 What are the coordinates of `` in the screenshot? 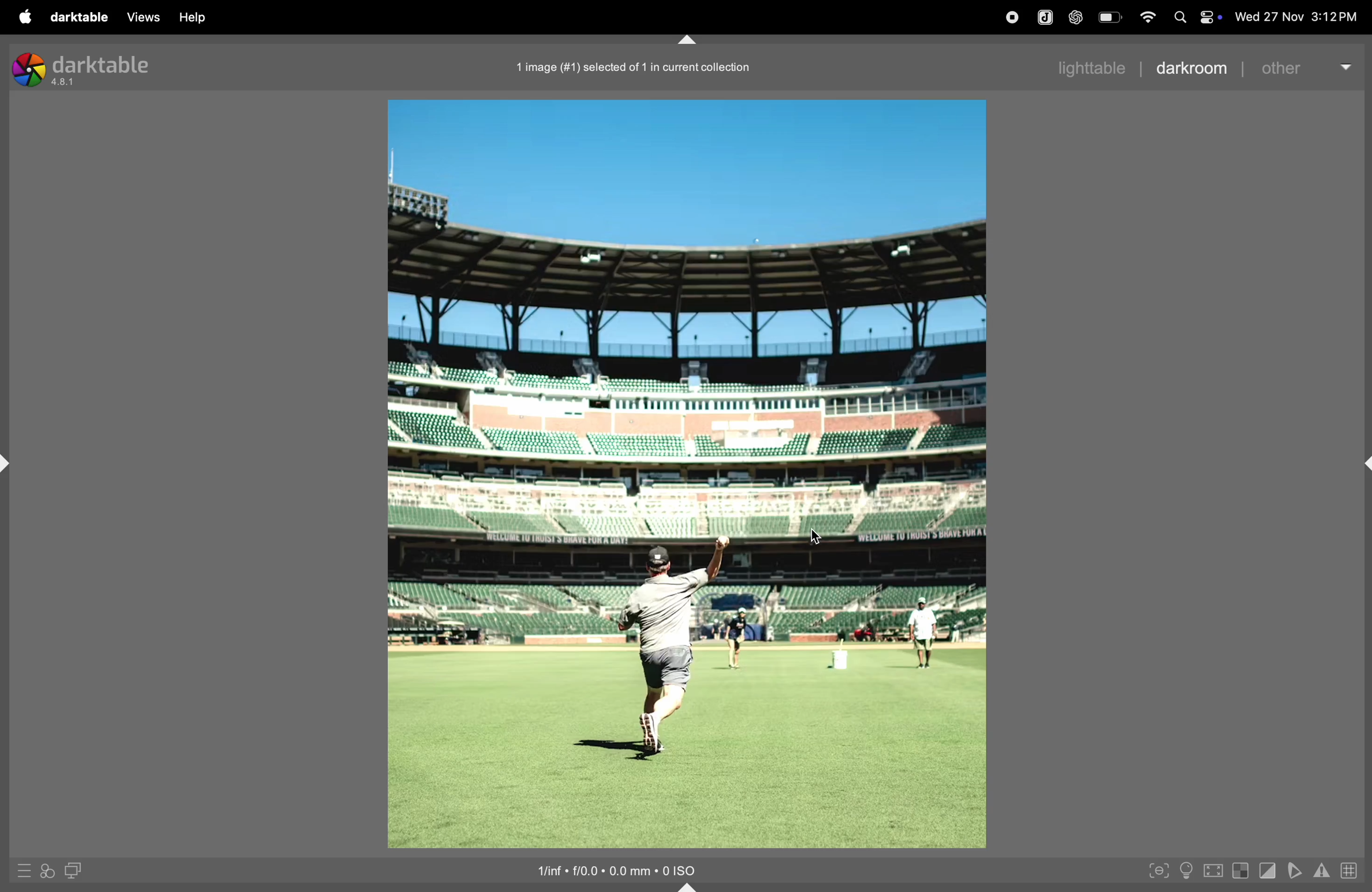 It's located at (29, 18).